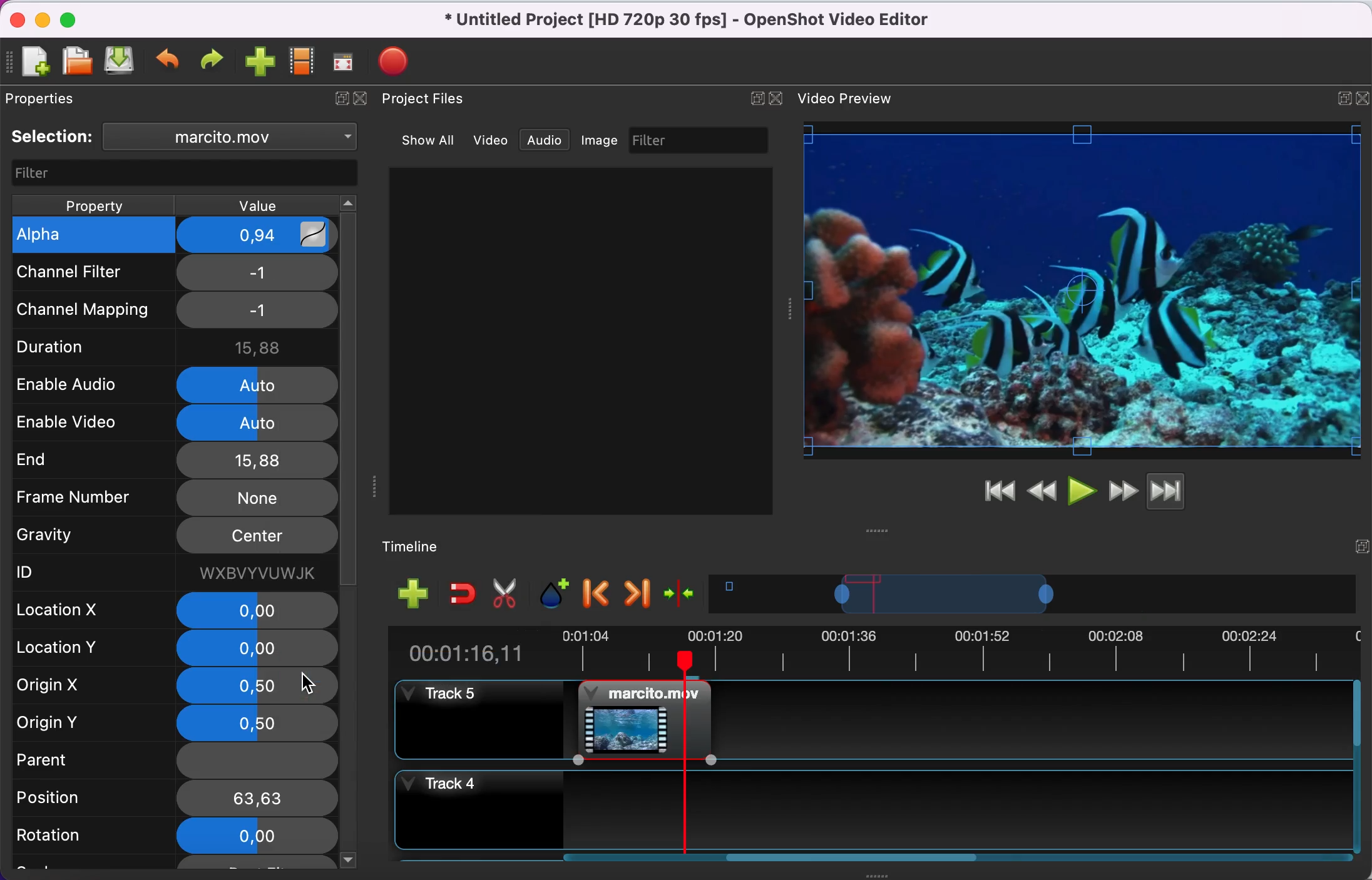 The image size is (1372, 880). Describe the element at coordinates (1360, 543) in the screenshot. I see `expand/hide` at that location.